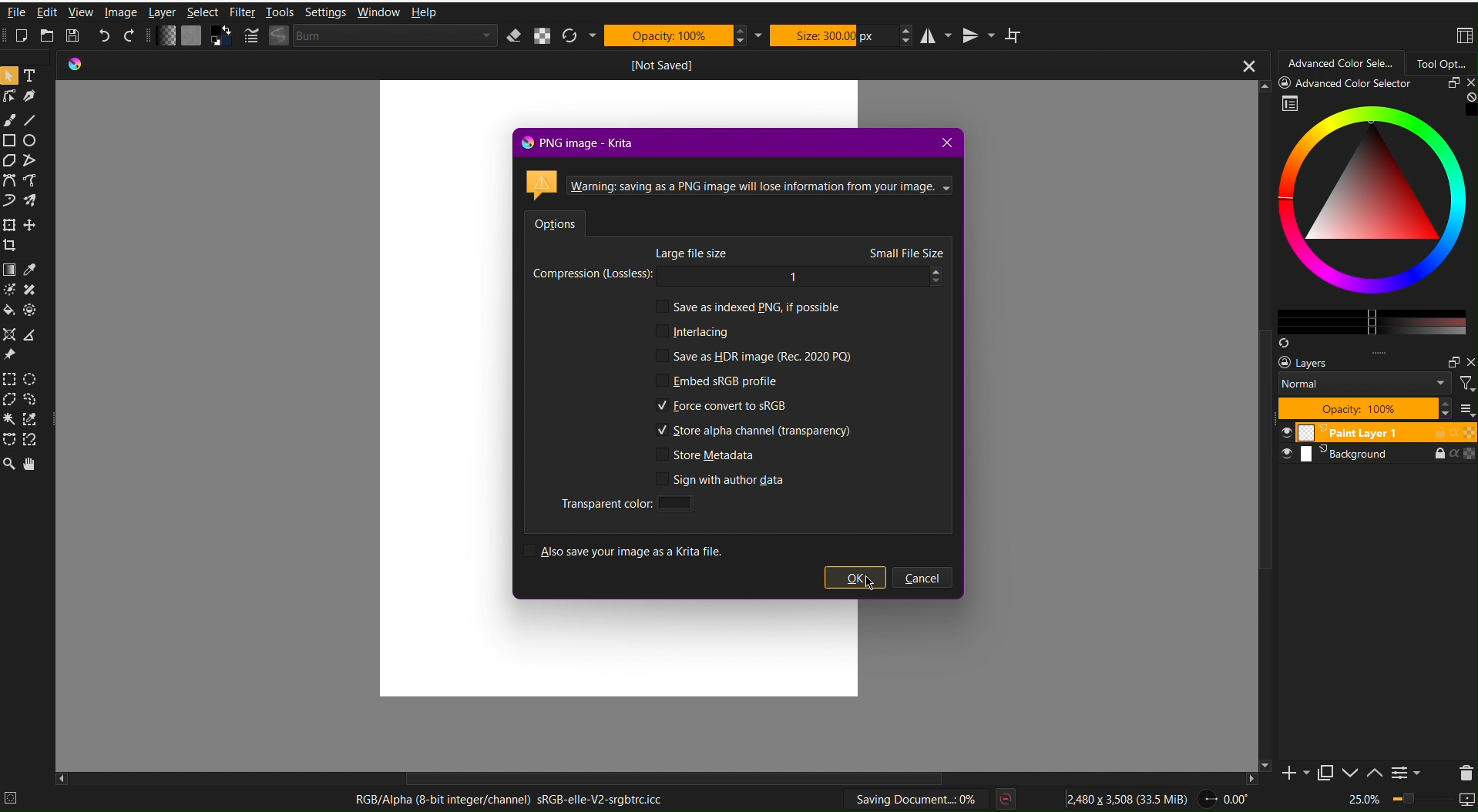  What do you see at coordinates (1353, 773) in the screenshot?
I see `Slide Options` at bounding box center [1353, 773].